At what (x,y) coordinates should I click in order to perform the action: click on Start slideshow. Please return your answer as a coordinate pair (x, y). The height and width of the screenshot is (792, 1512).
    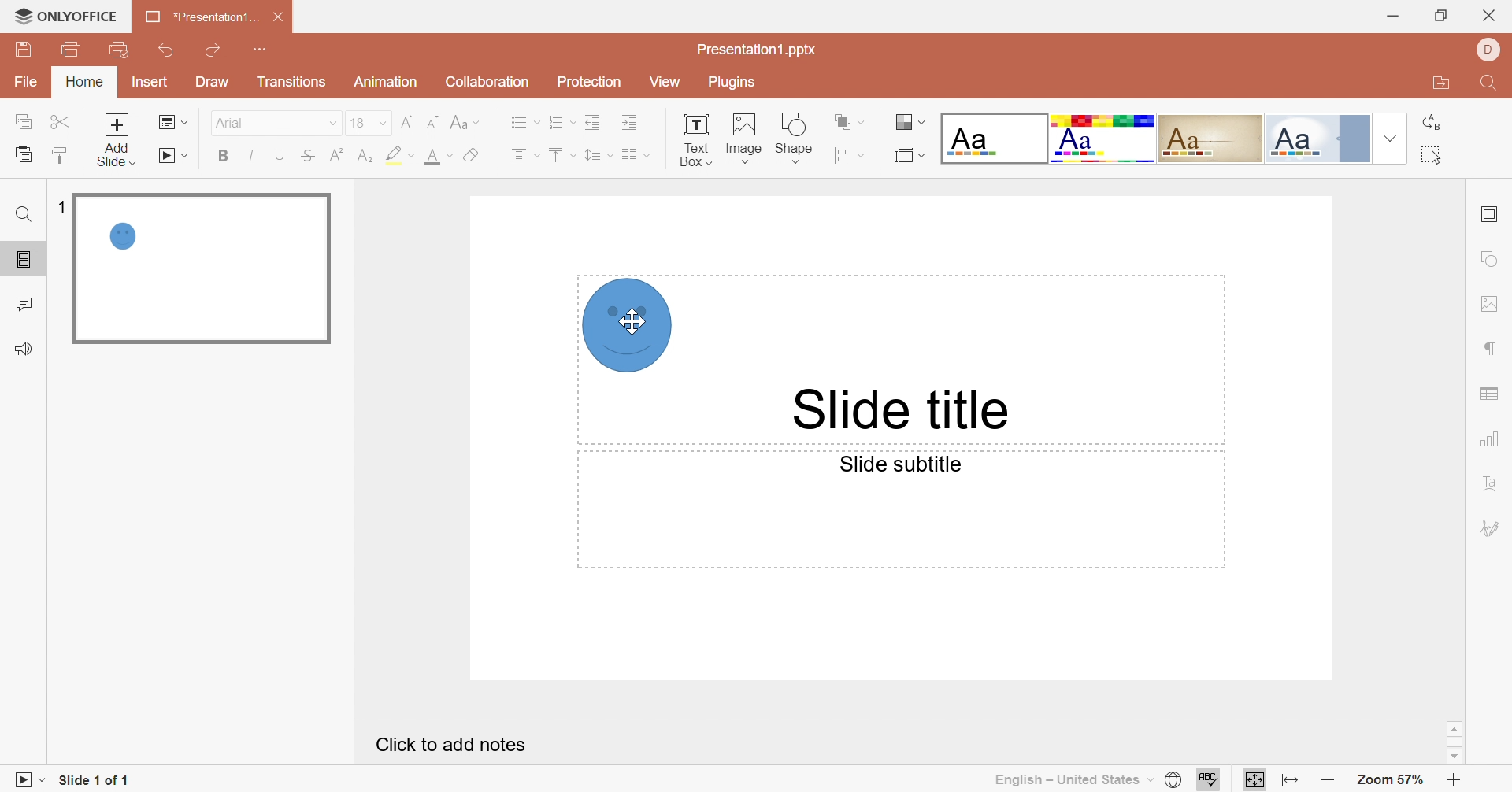
    Looking at the image, I should click on (176, 157).